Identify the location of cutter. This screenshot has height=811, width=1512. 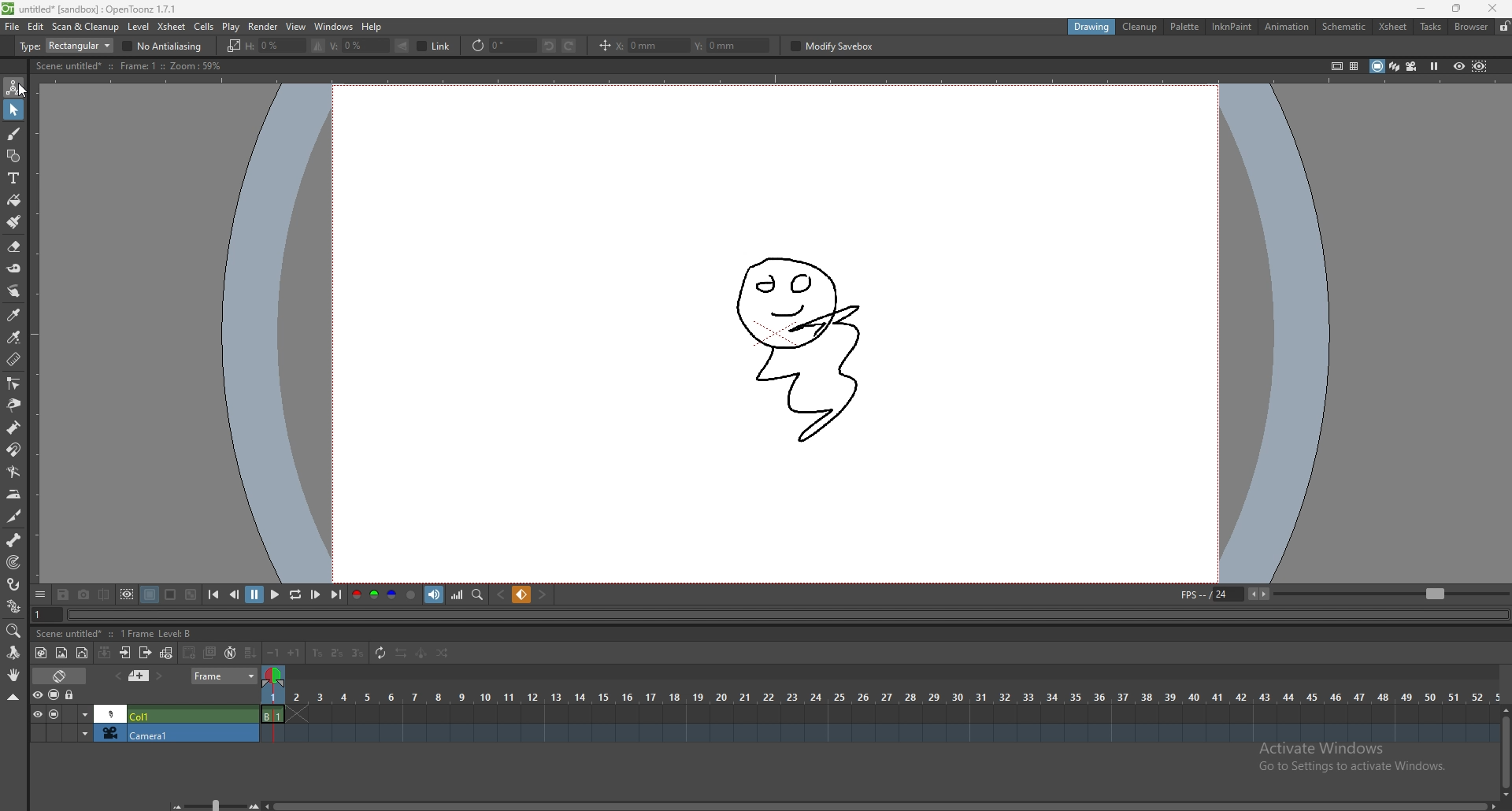
(14, 517).